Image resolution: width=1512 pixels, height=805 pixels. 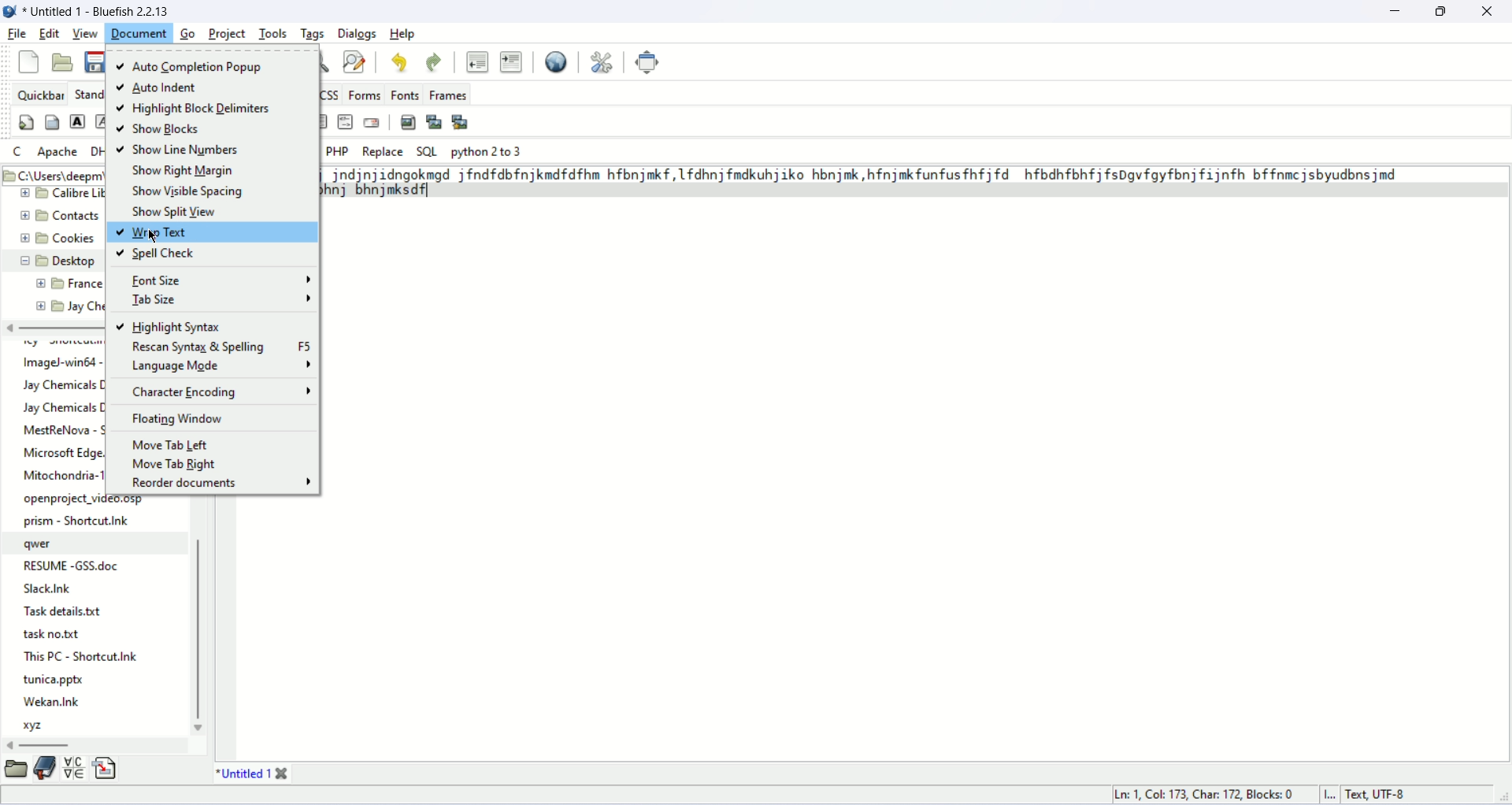 What do you see at coordinates (99, 122) in the screenshot?
I see `emphasis` at bounding box center [99, 122].